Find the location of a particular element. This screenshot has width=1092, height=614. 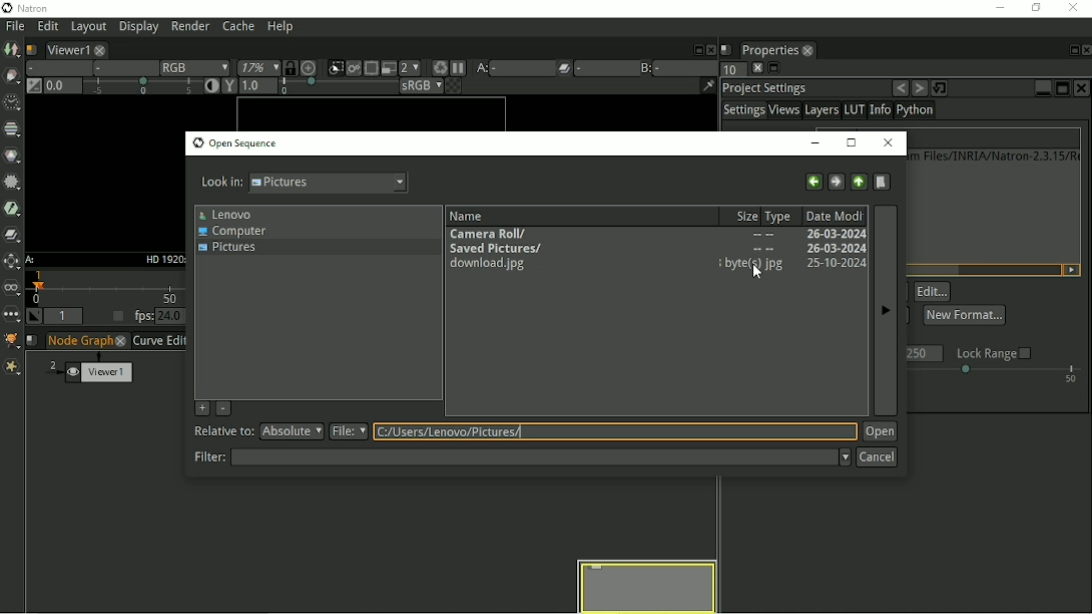

Scale down render is located at coordinates (409, 67).